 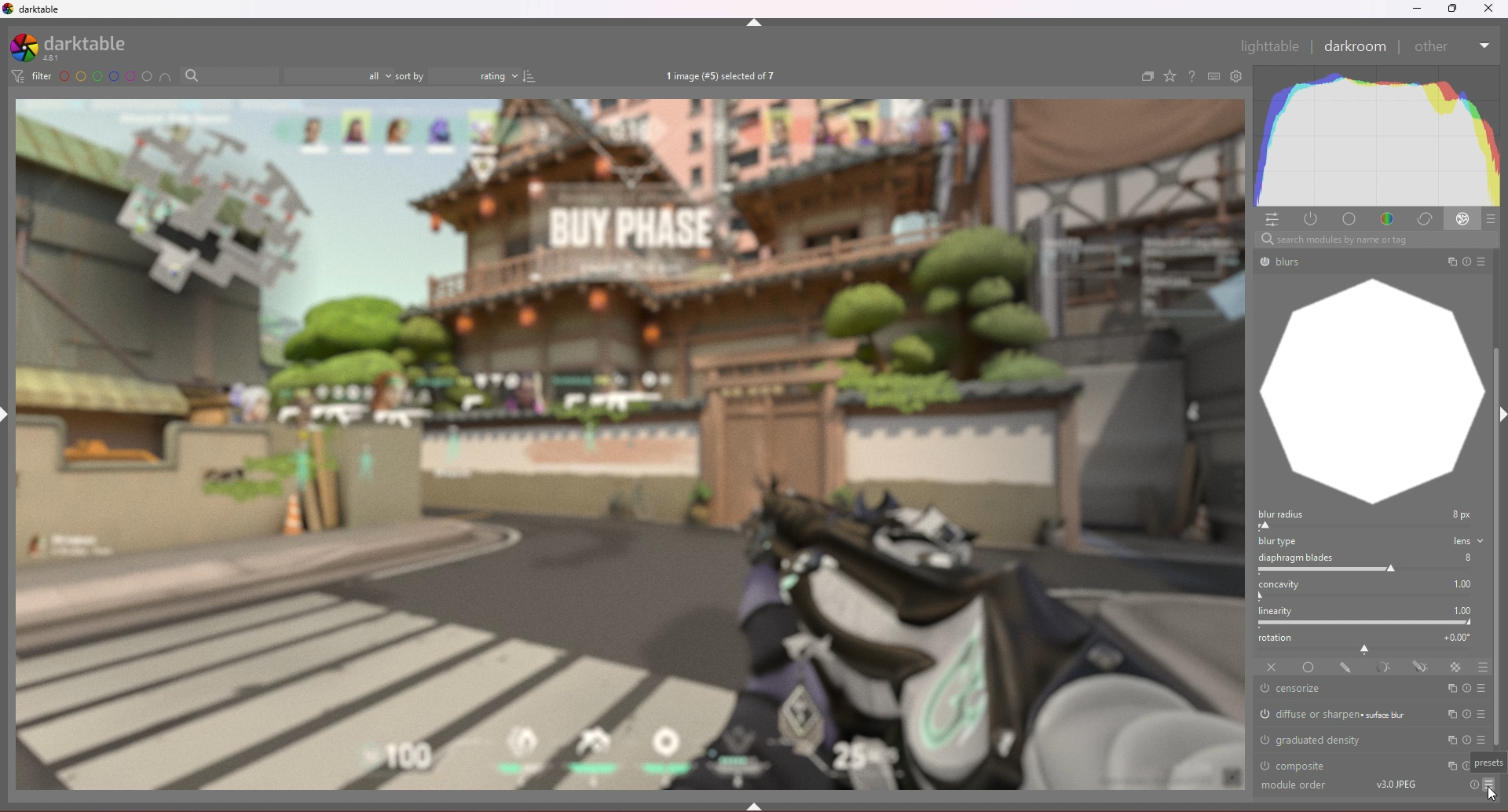 What do you see at coordinates (1448, 741) in the screenshot?
I see `multi instances actions` at bounding box center [1448, 741].